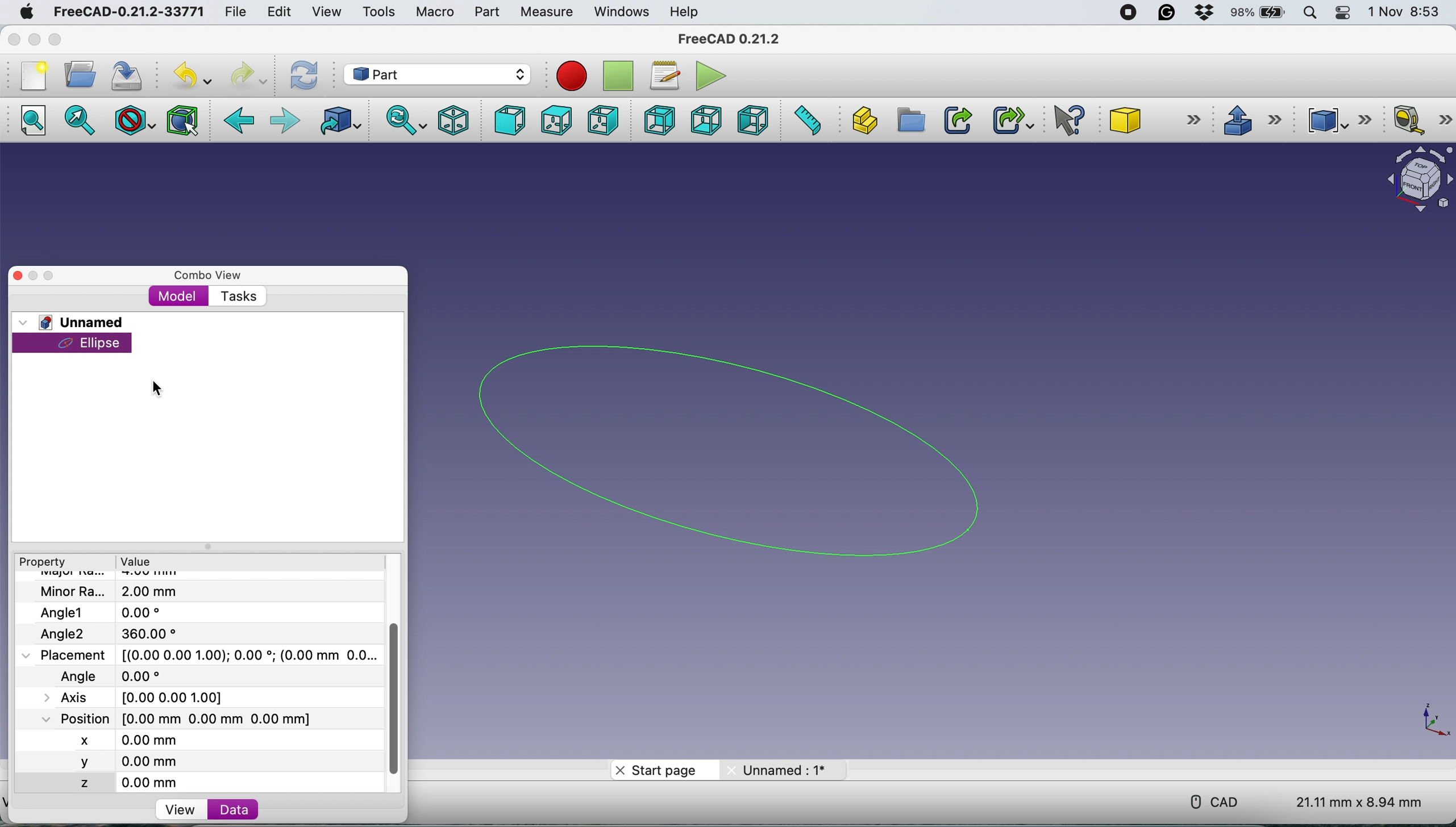 The image size is (1456, 827). Describe the element at coordinates (33, 120) in the screenshot. I see `fit all` at that location.